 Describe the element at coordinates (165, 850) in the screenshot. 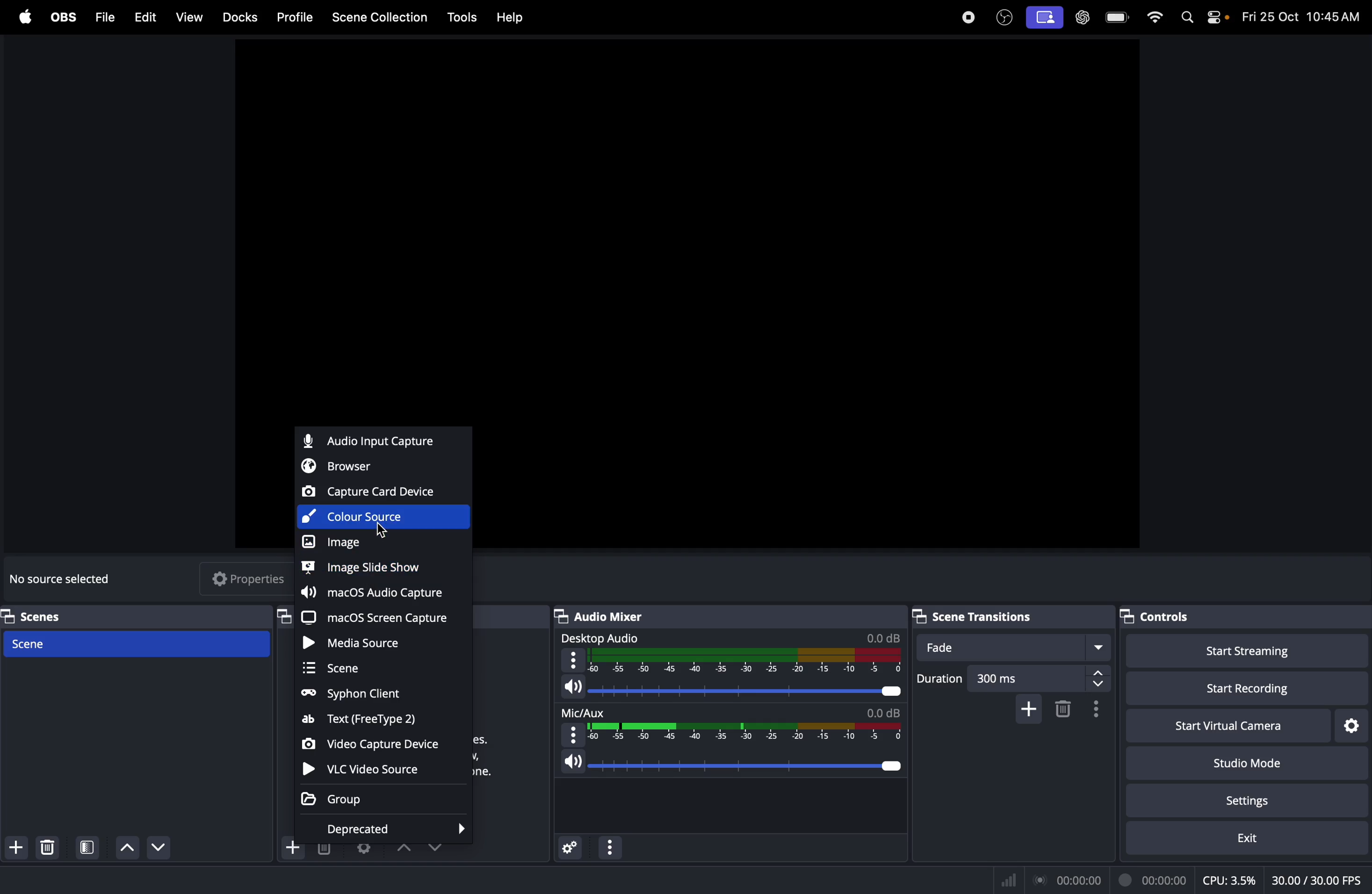

I see `Move scene up` at that location.